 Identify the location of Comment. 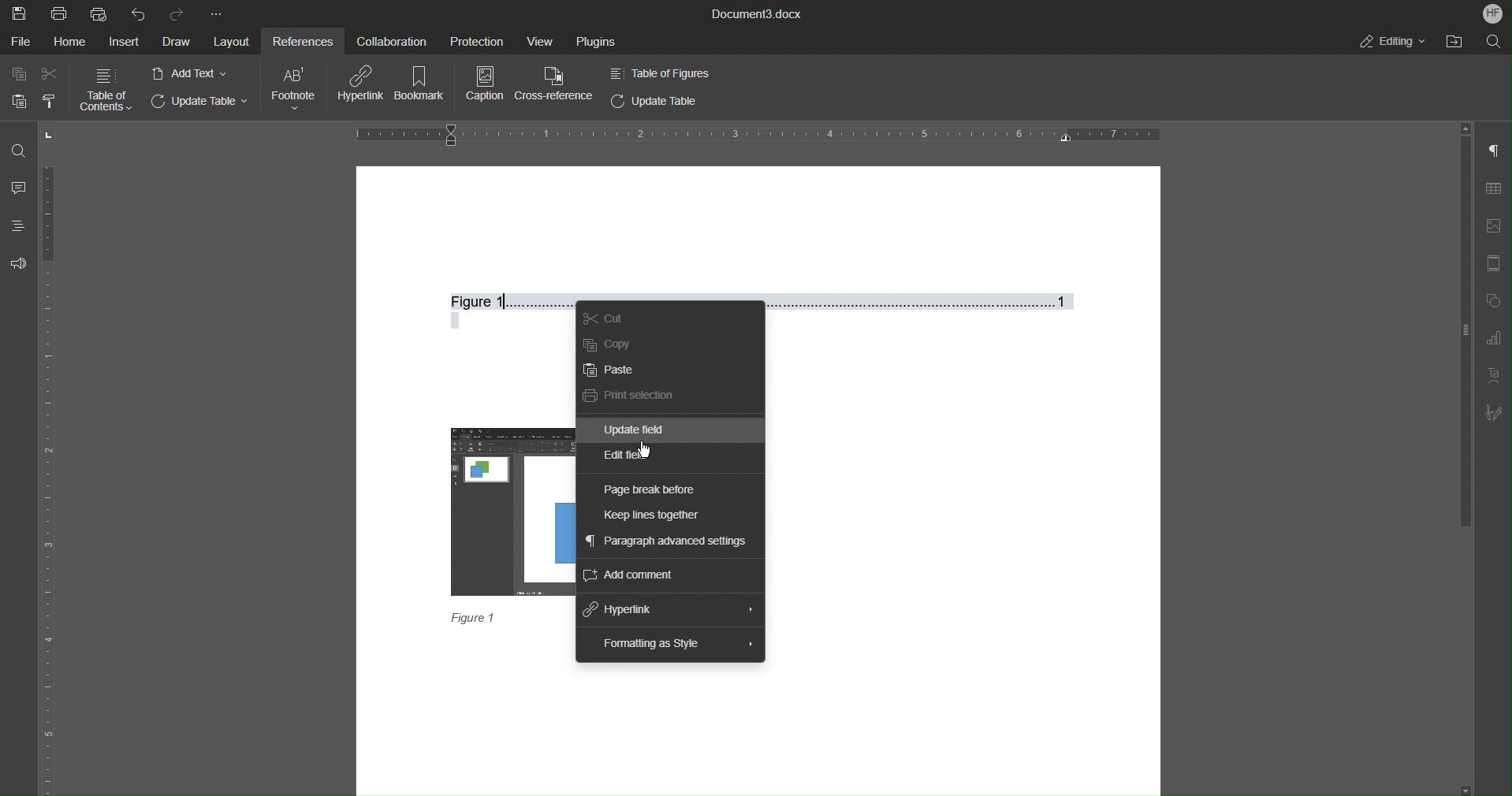
(18, 186).